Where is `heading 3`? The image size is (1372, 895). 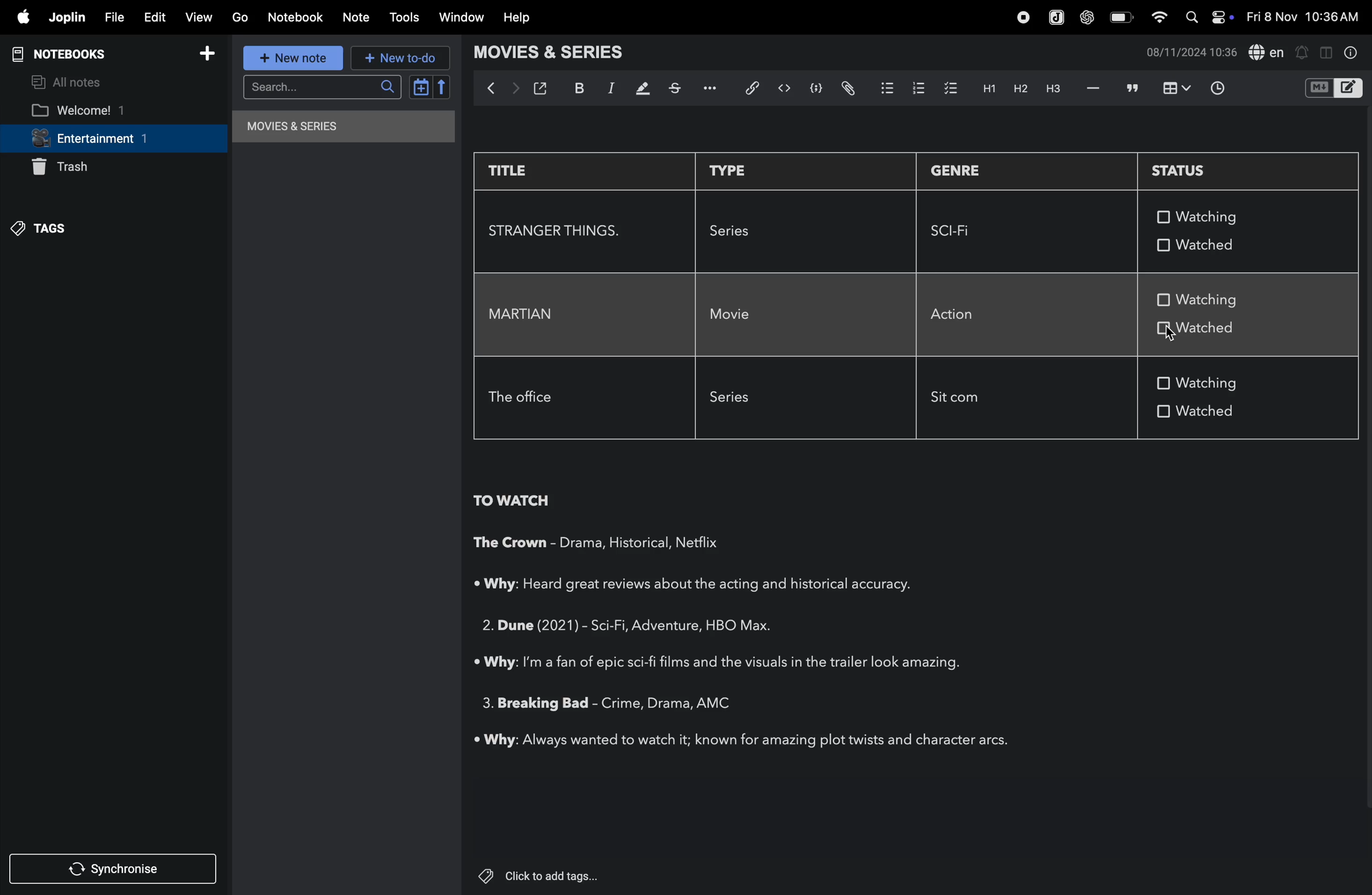
heading 3 is located at coordinates (1050, 92).